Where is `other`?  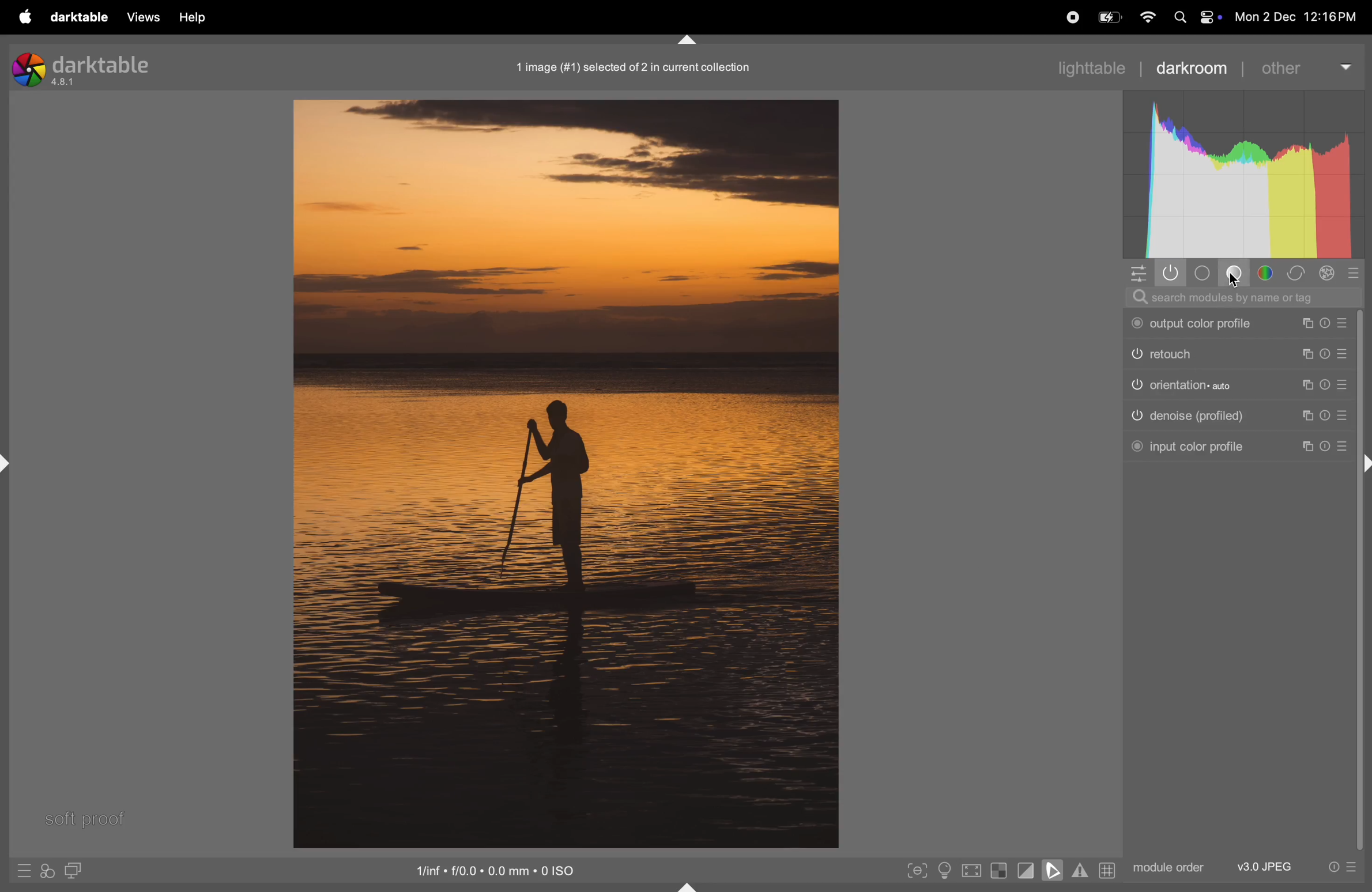
other is located at coordinates (1304, 66).